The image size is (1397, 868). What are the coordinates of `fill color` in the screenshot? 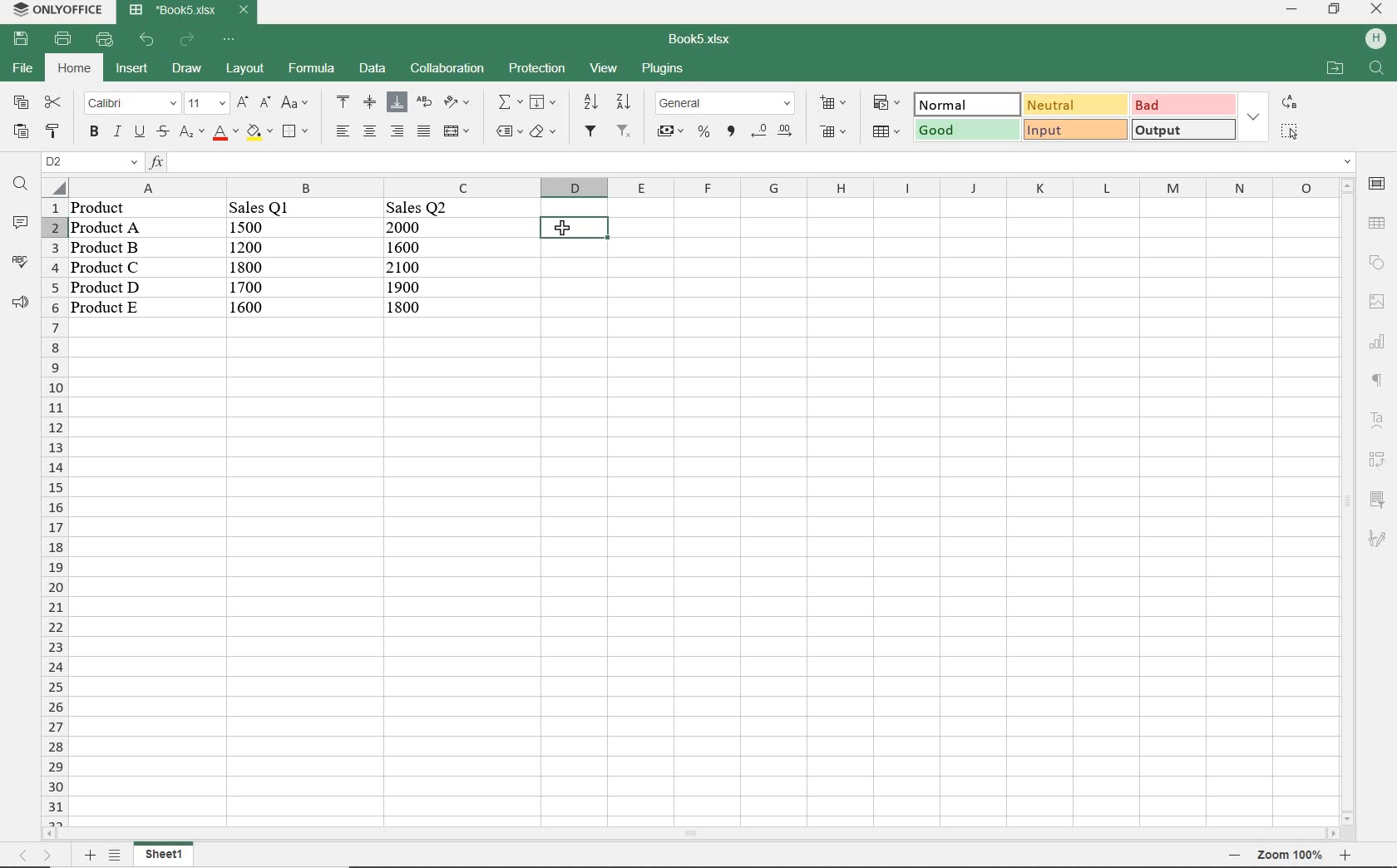 It's located at (258, 131).